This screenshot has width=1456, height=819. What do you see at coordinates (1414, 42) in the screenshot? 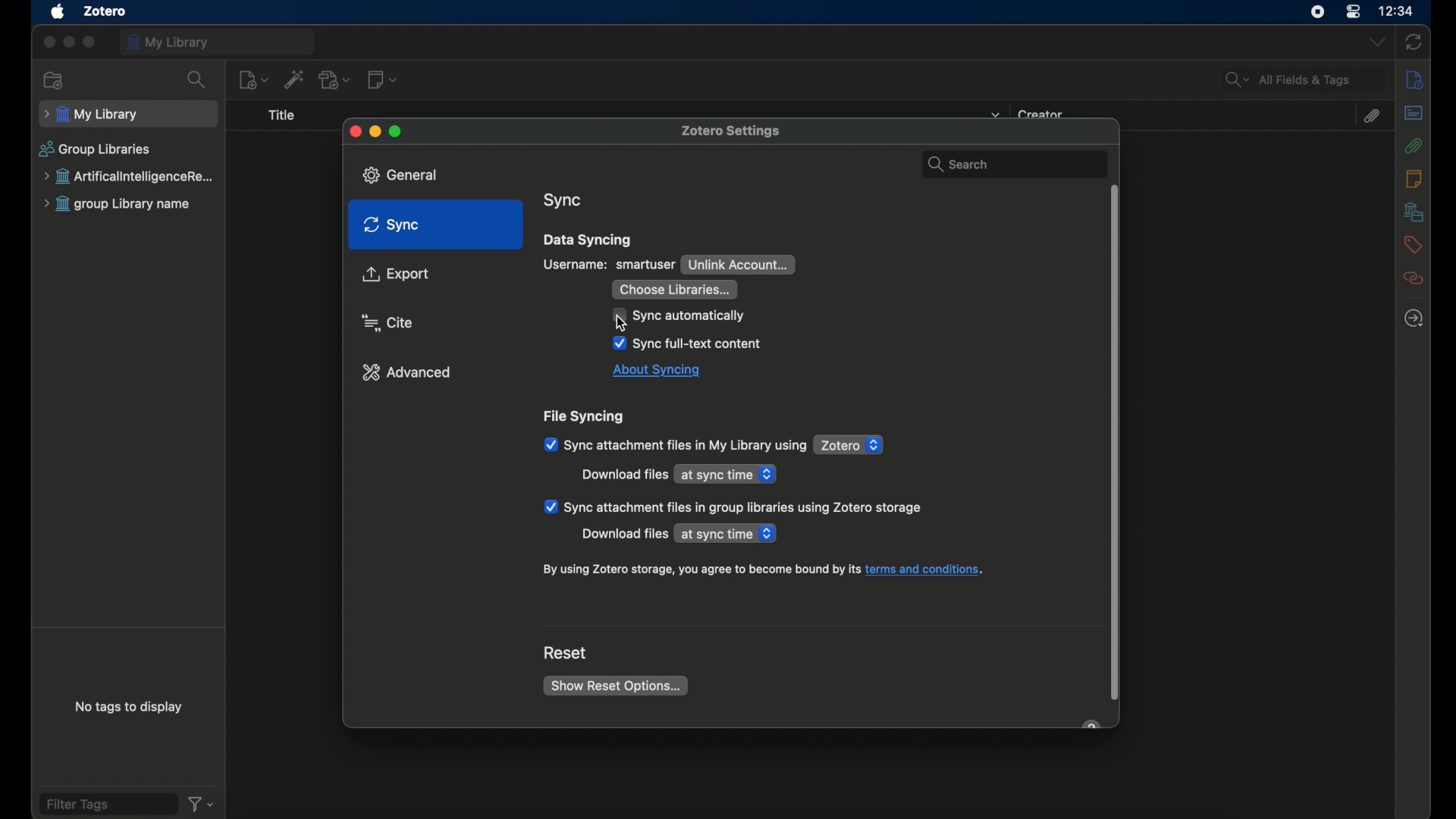
I see `sync` at bounding box center [1414, 42].